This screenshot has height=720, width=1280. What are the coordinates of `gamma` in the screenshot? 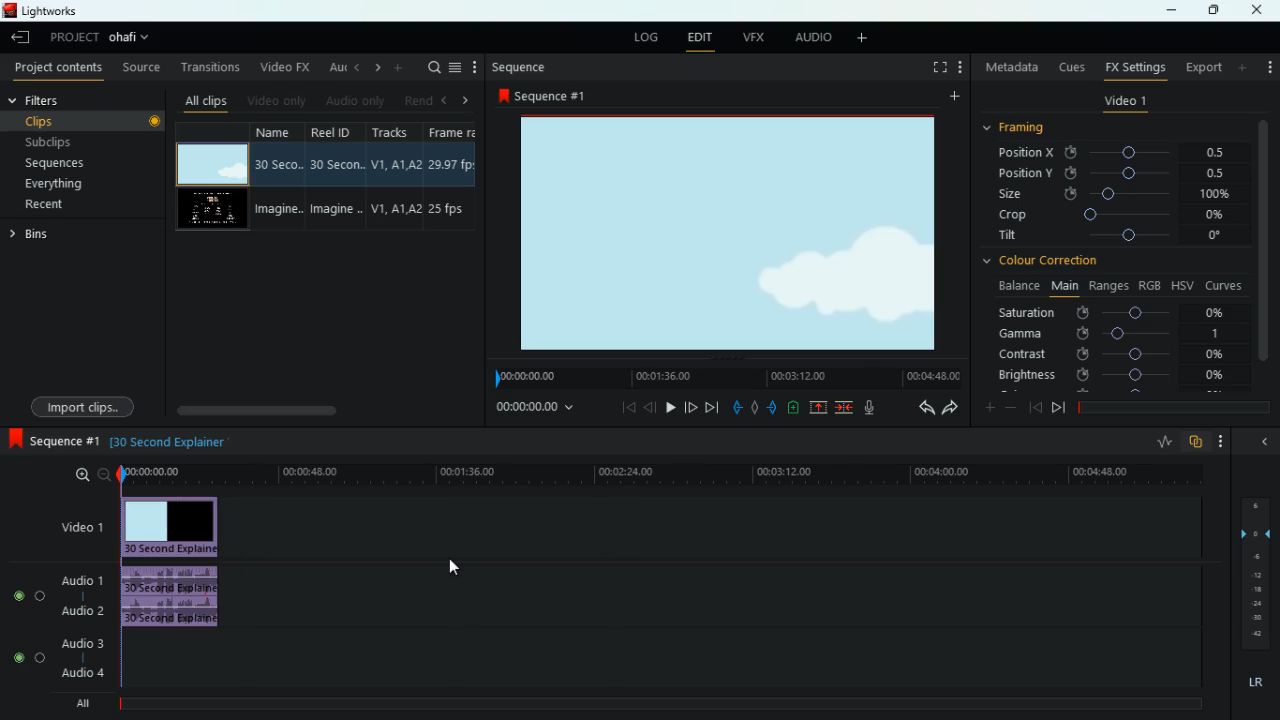 It's located at (1122, 334).